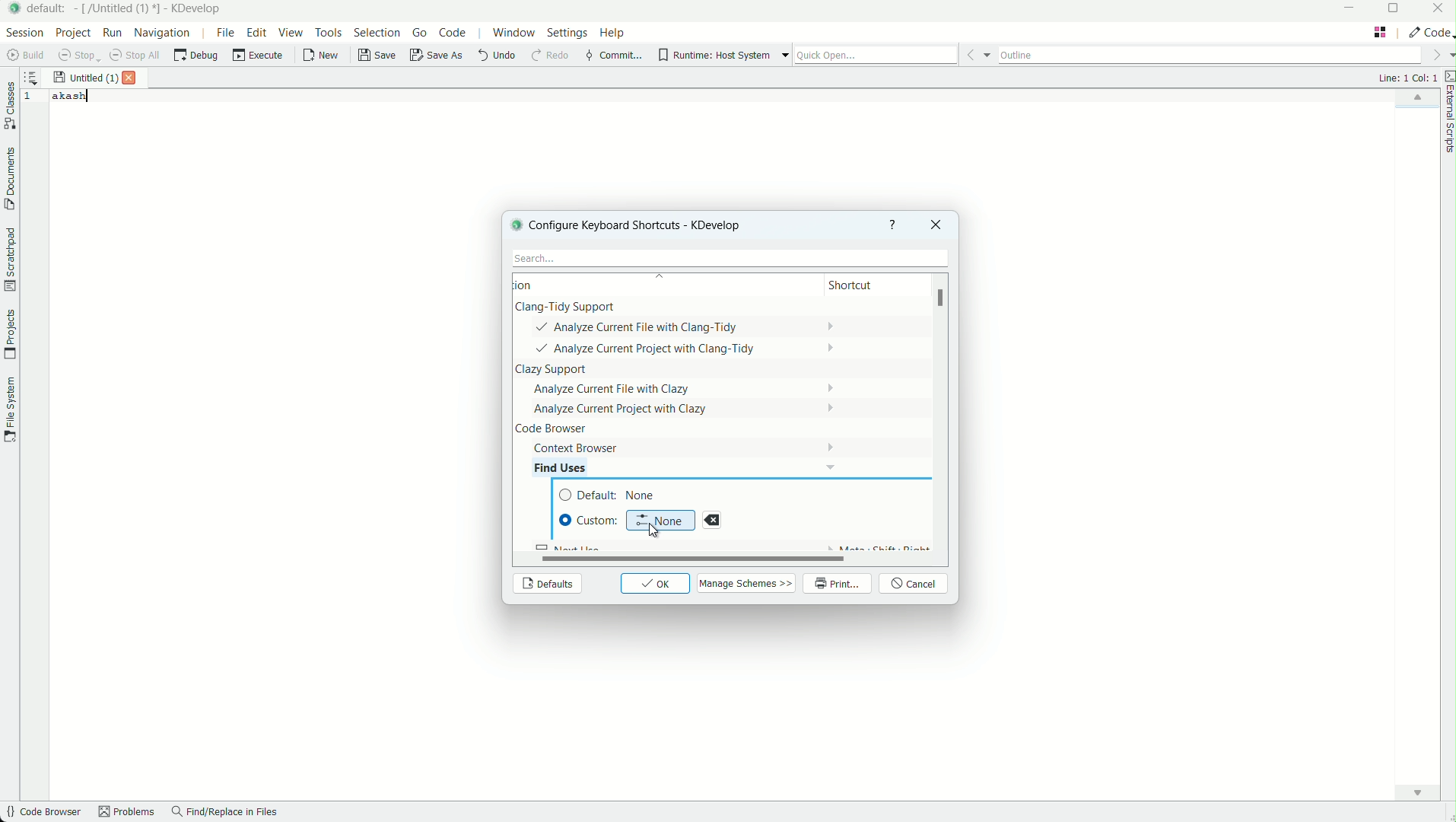 The image size is (1456, 822). I want to click on session menu, so click(23, 32).